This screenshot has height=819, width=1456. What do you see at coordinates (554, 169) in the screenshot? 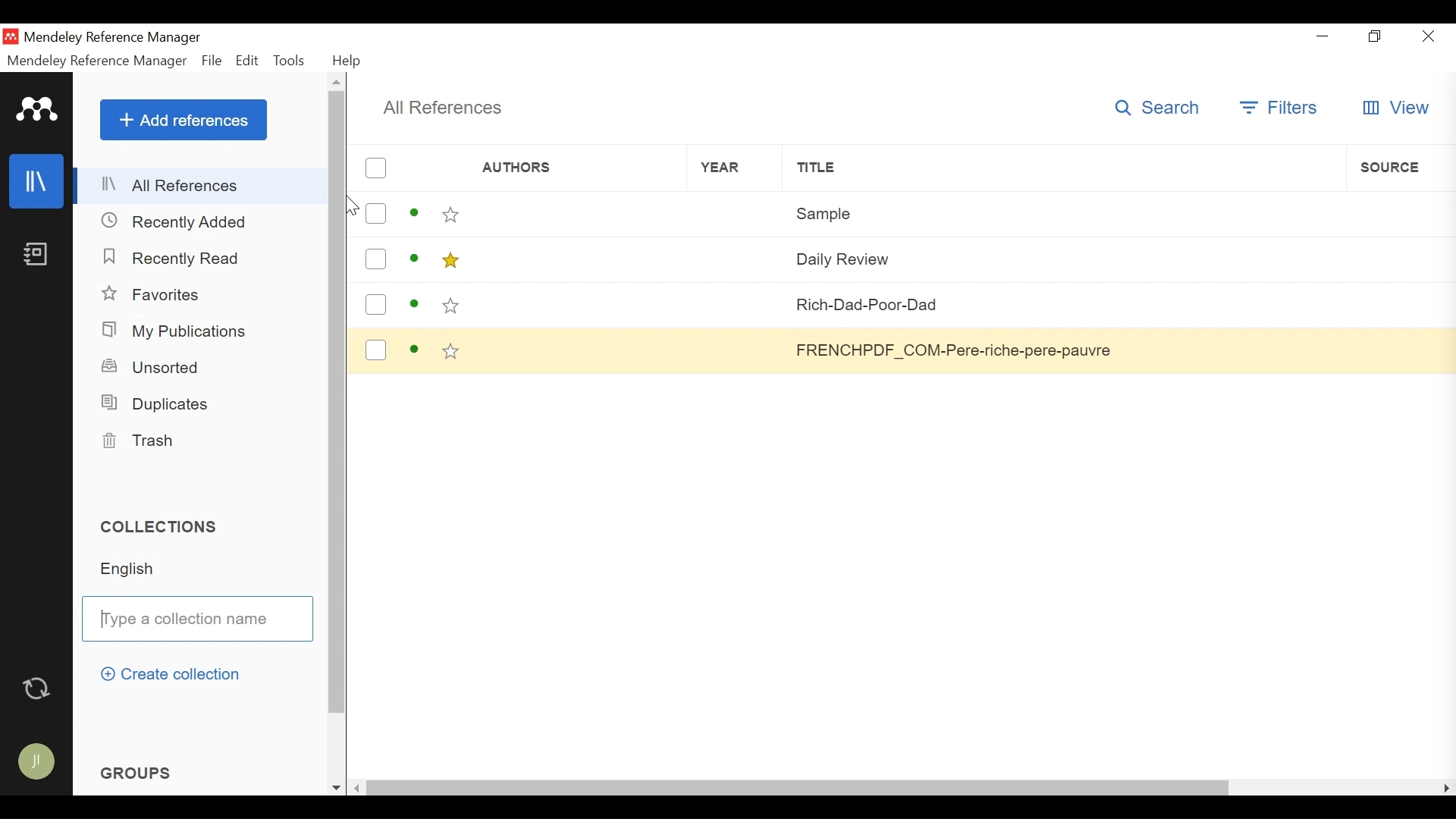
I see `Authors` at bounding box center [554, 169].